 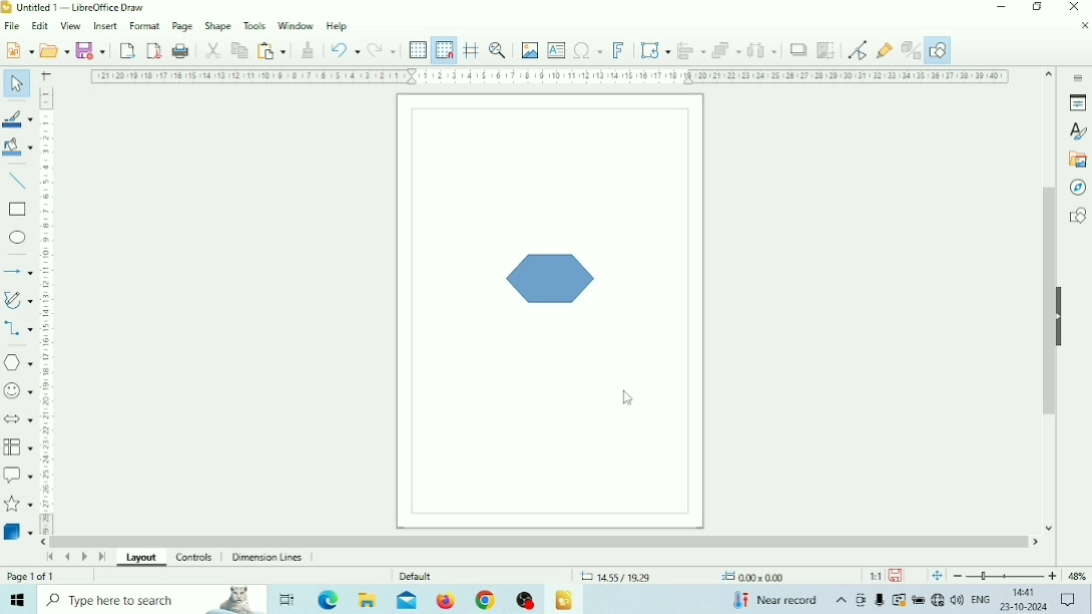 What do you see at coordinates (1077, 76) in the screenshot?
I see `Sidebar settings` at bounding box center [1077, 76].